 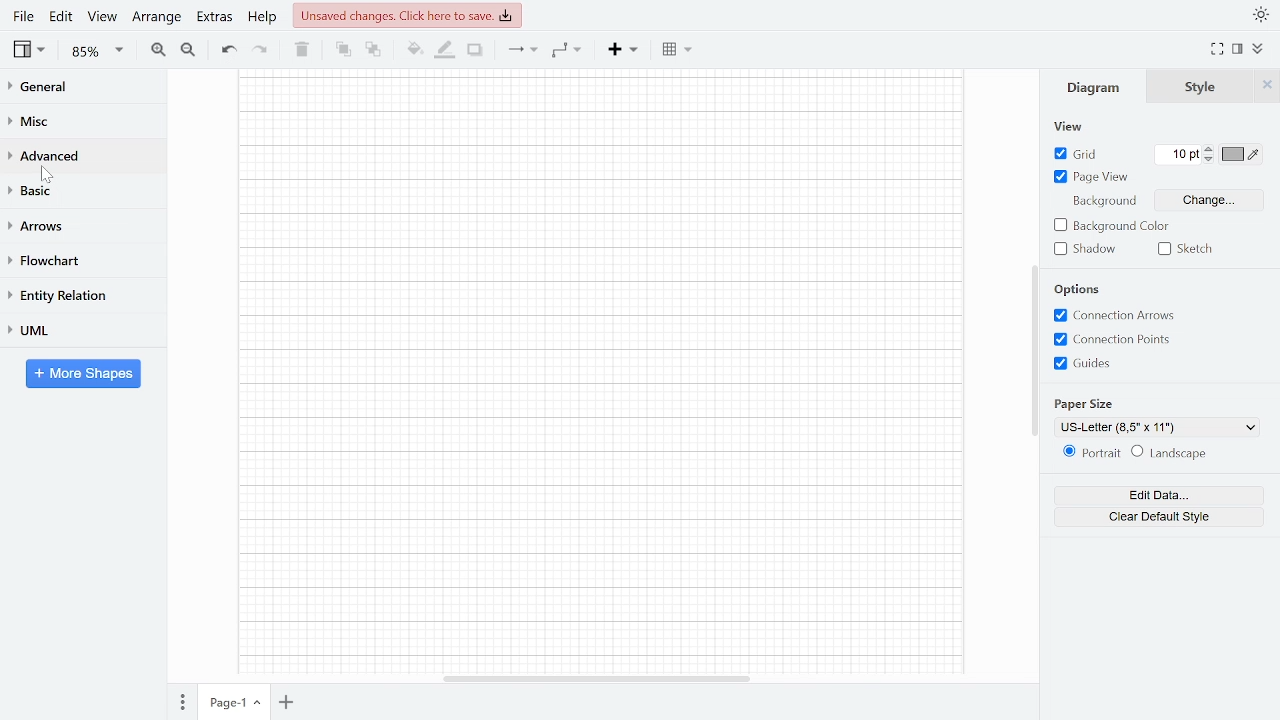 I want to click on Theme, so click(x=1259, y=15).